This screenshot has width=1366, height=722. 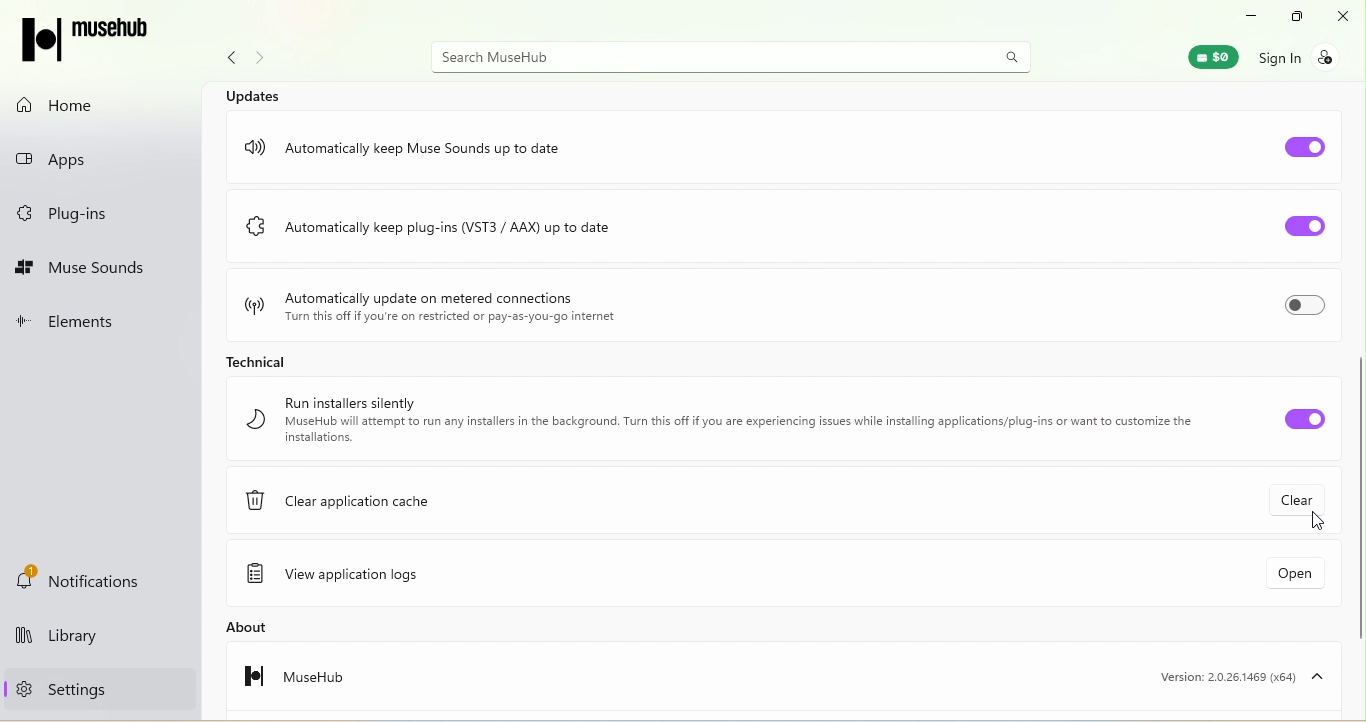 What do you see at coordinates (734, 56) in the screenshot?
I see `Search MuseHub` at bounding box center [734, 56].